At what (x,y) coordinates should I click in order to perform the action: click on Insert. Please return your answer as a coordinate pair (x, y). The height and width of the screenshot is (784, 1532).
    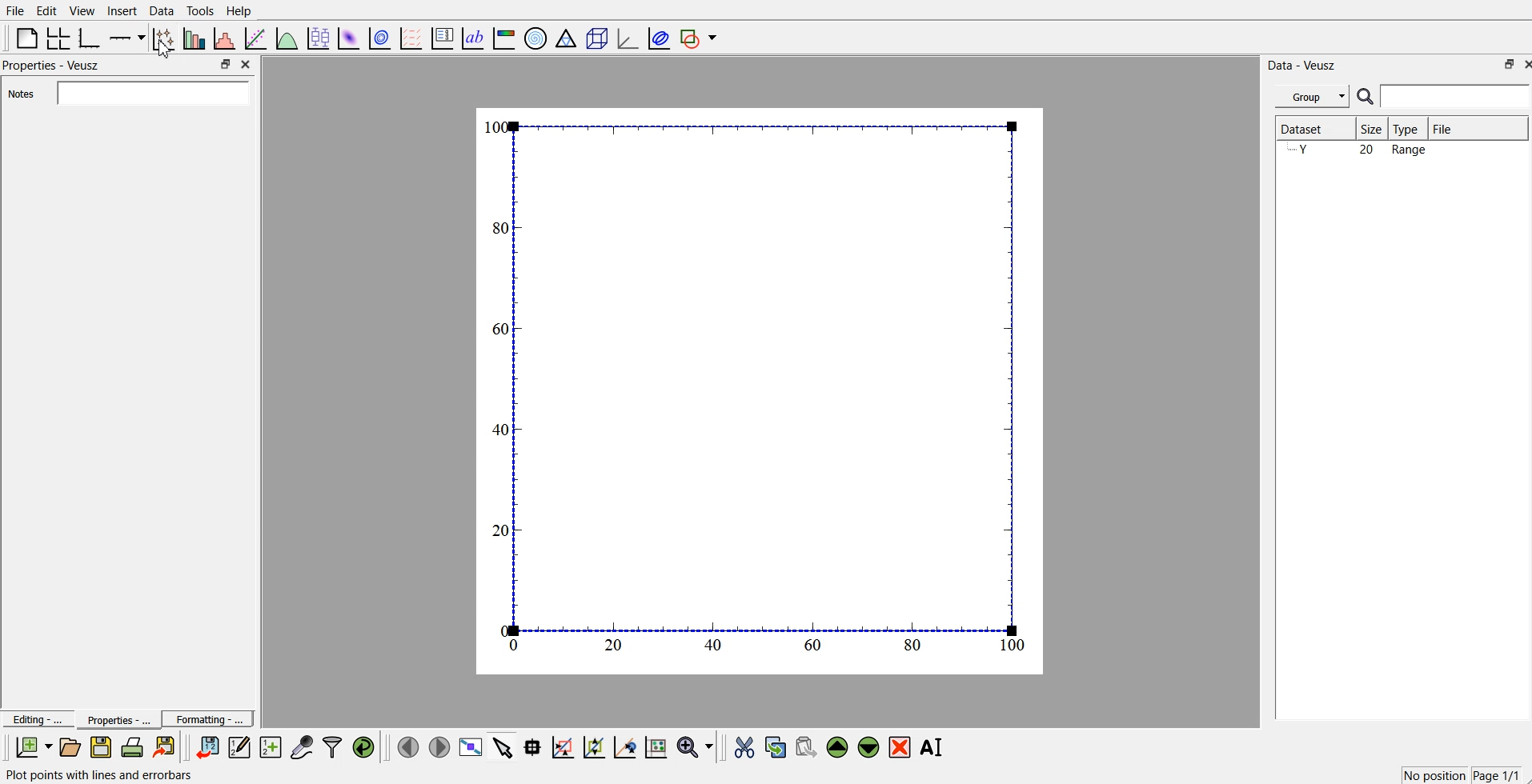
    Looking at the image, I should click on (120, 11).